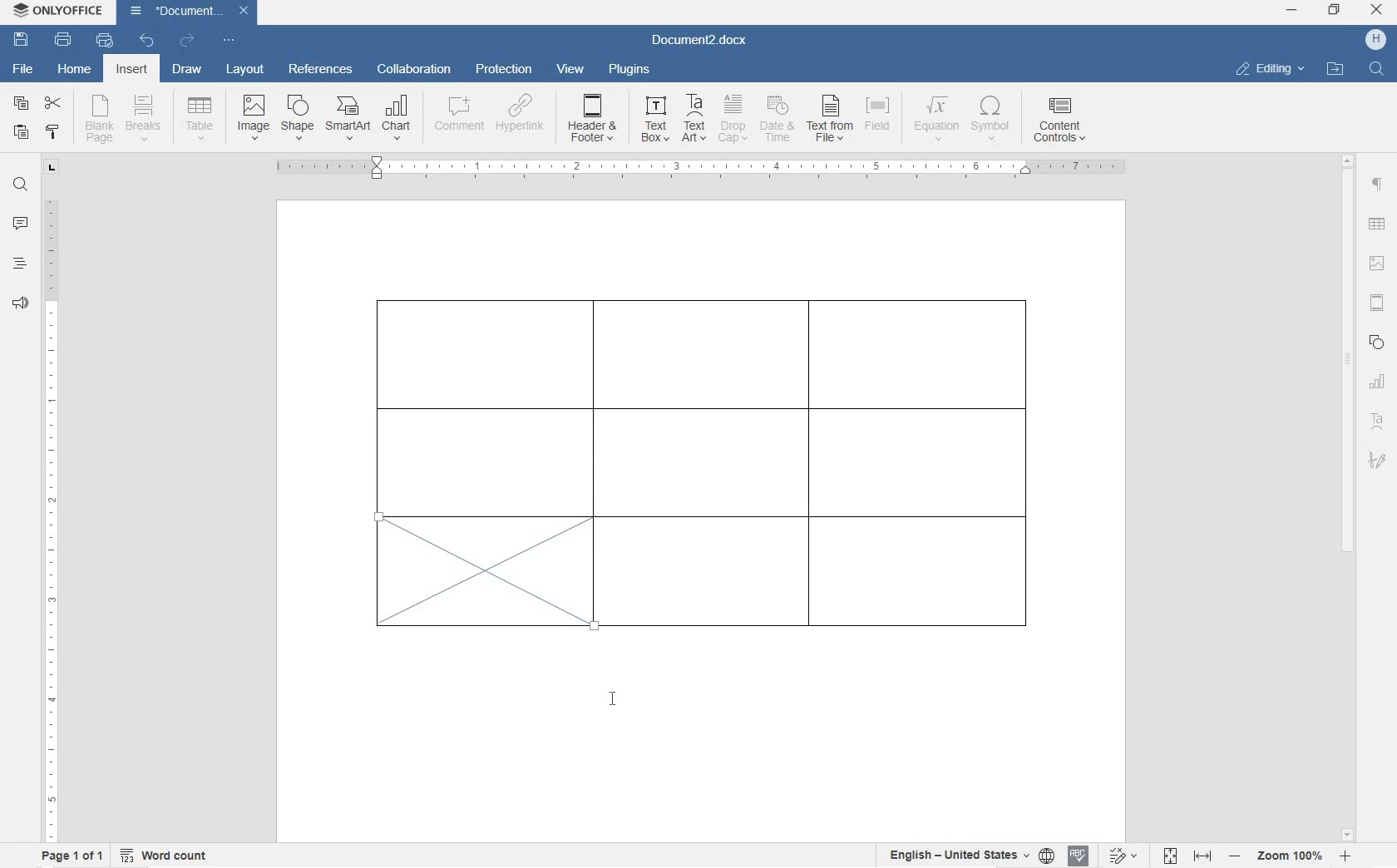 This screenshot has width=1397, height=868. I want to click on copy, so click(22, 106).